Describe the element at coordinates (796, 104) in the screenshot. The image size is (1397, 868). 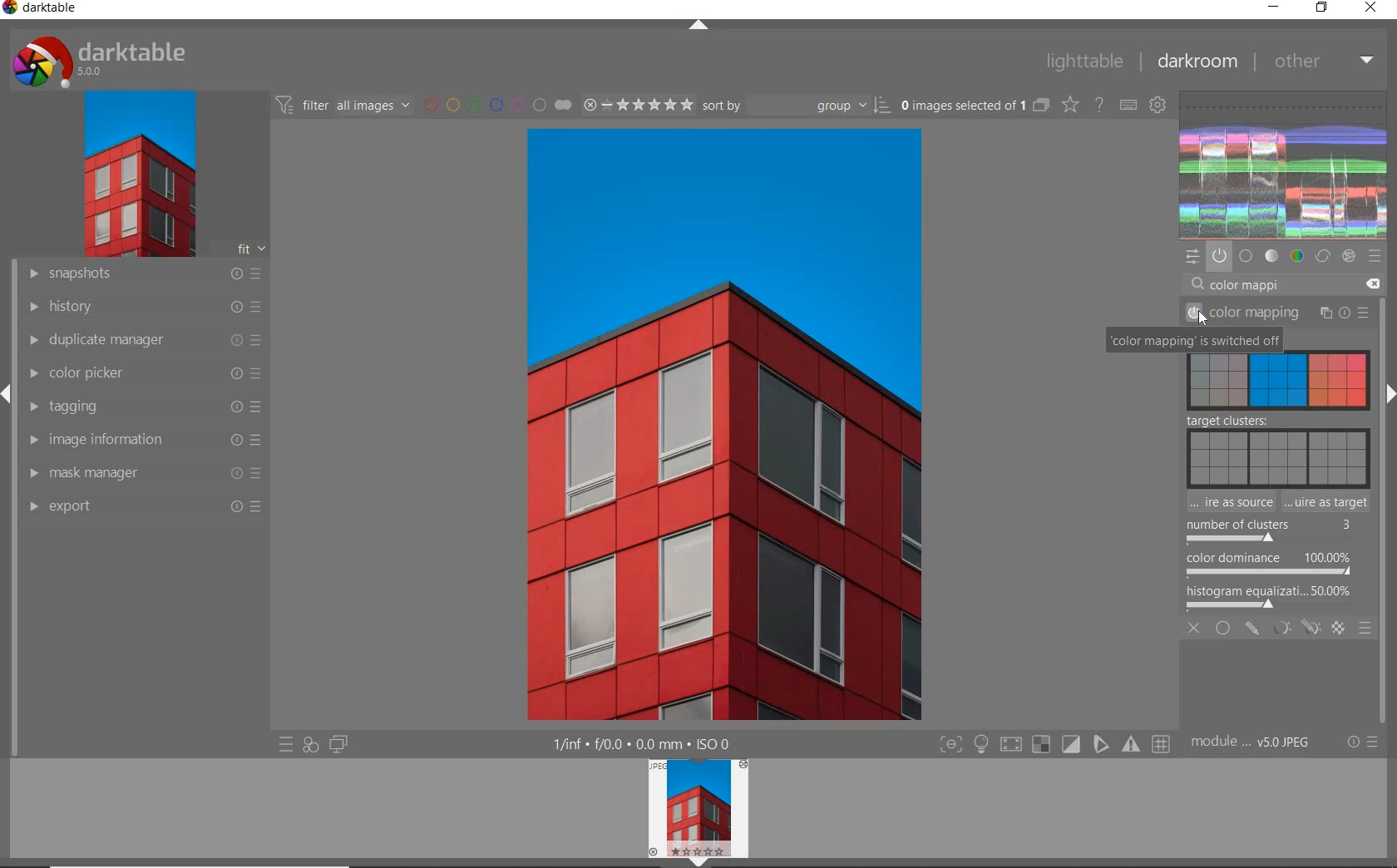
I see `sort` at that location.